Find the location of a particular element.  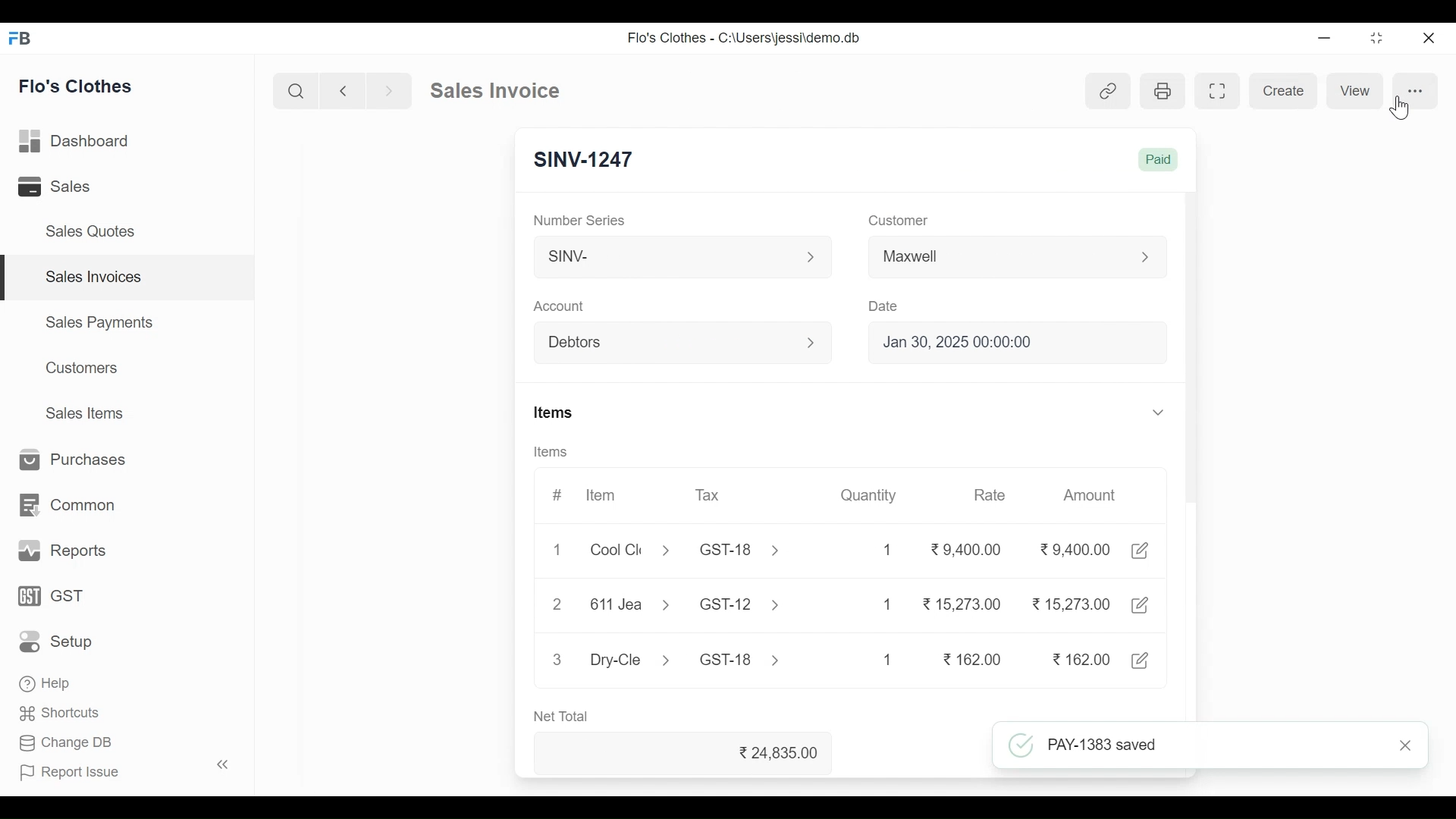

Amount is located at coordinates (1088, 494).